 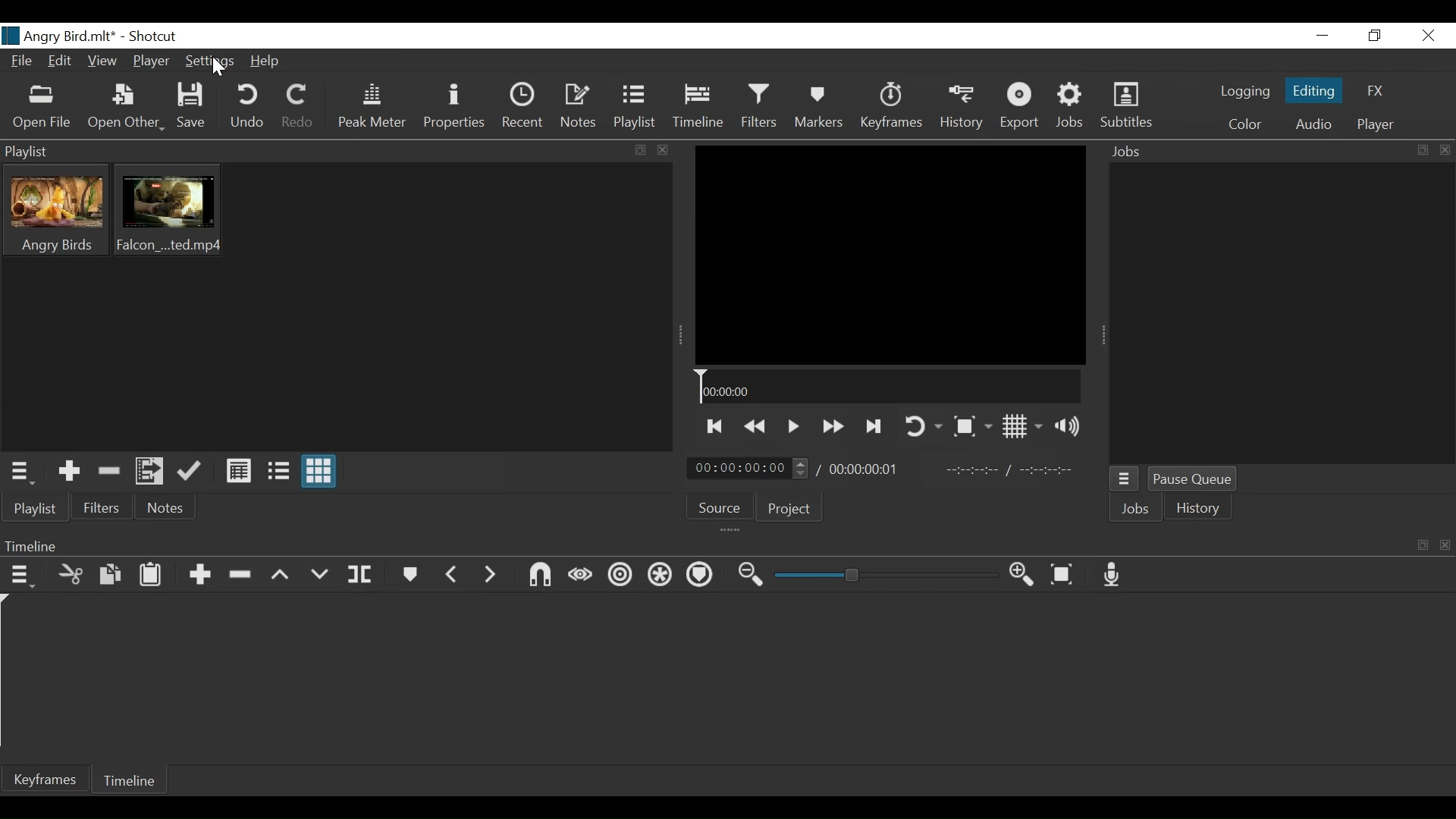 What do you see at coordinates (42, 108) in the screenshot?
I see `Open File` at bounding box center [42, 108].